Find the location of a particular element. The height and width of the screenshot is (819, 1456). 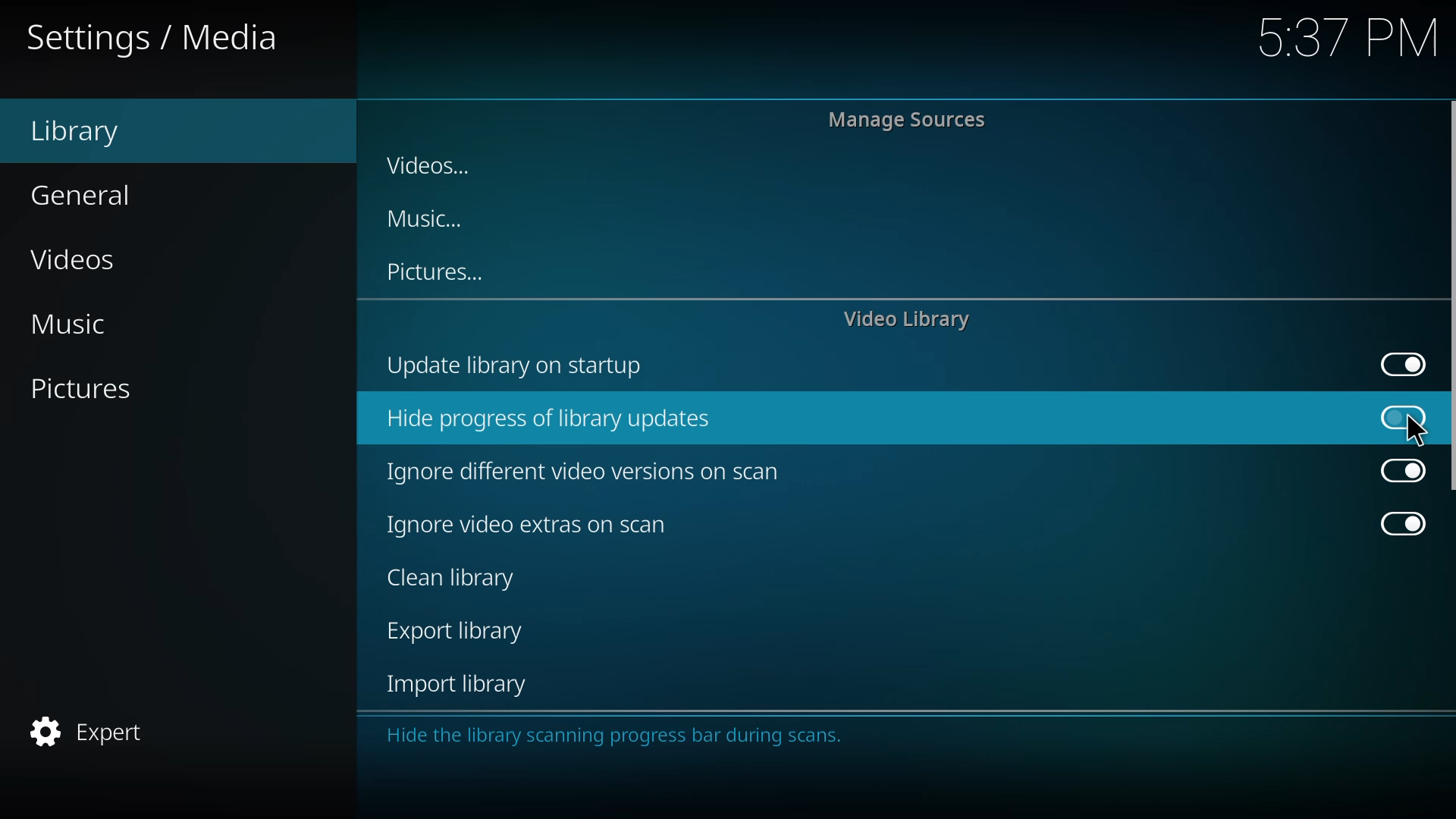

video library is located at coordinates (910, 319).